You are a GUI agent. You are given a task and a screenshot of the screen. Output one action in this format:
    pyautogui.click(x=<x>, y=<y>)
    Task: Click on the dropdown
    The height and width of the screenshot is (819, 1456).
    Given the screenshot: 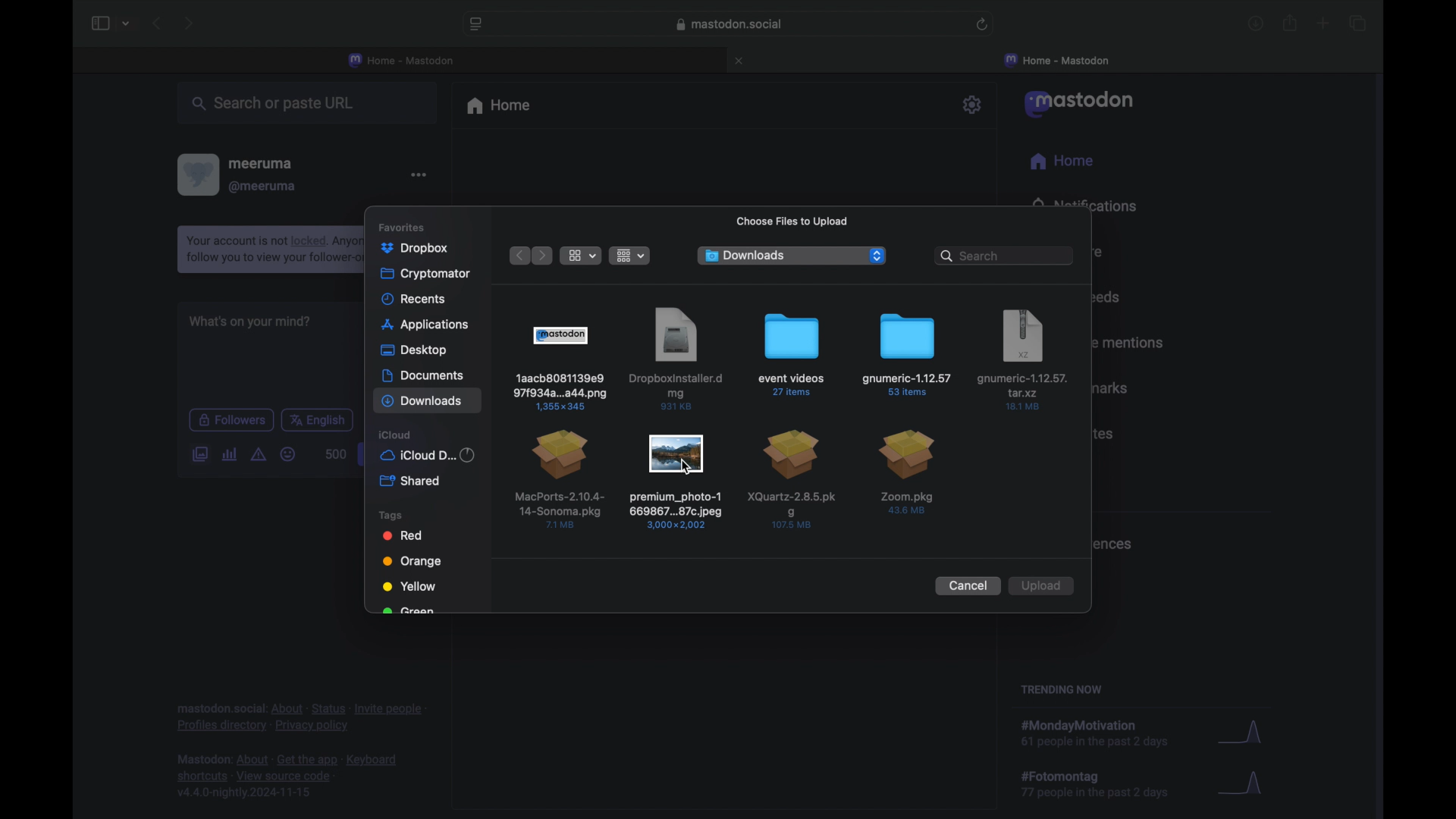 What is the action you would take?
    pyautogui.click(x=875, y=255)
    